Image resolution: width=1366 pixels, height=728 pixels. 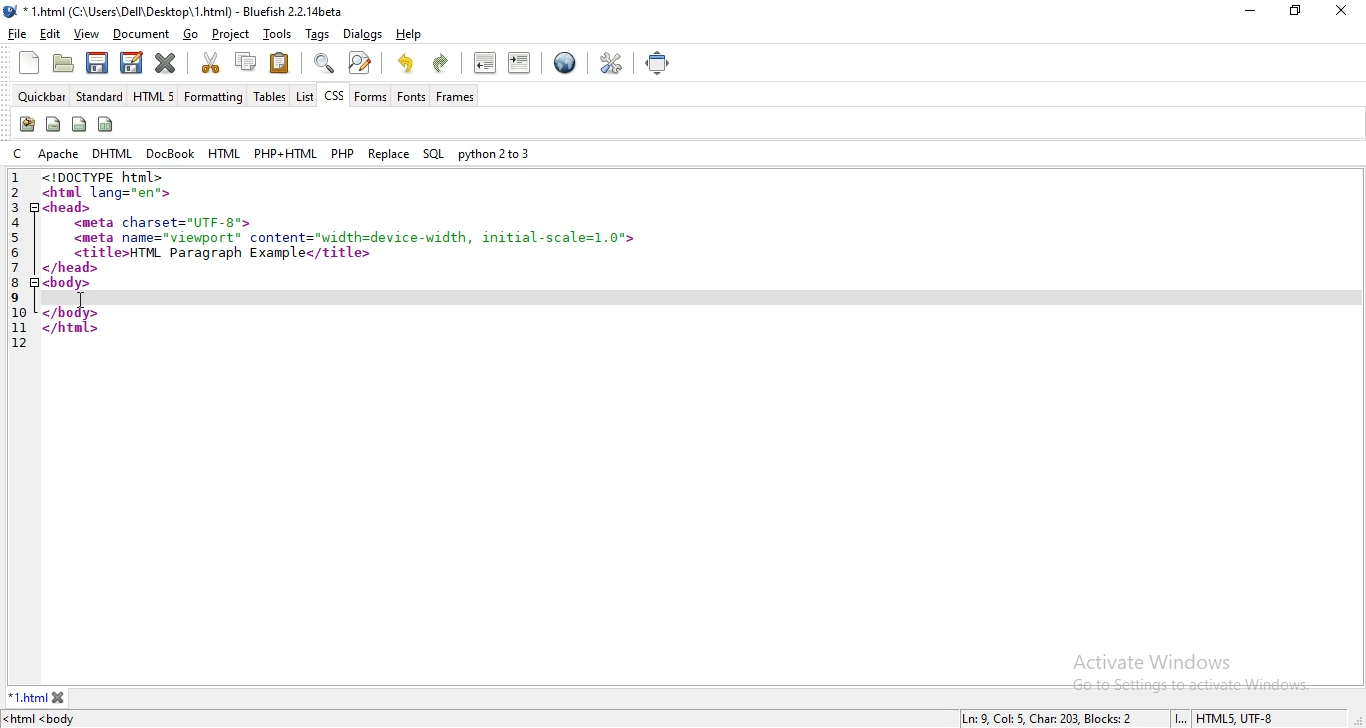 What do you see at coordinates (164, 223) in the screenshot?
I see `<meta charset="UTF-8">` at bounding box center [164, 223].